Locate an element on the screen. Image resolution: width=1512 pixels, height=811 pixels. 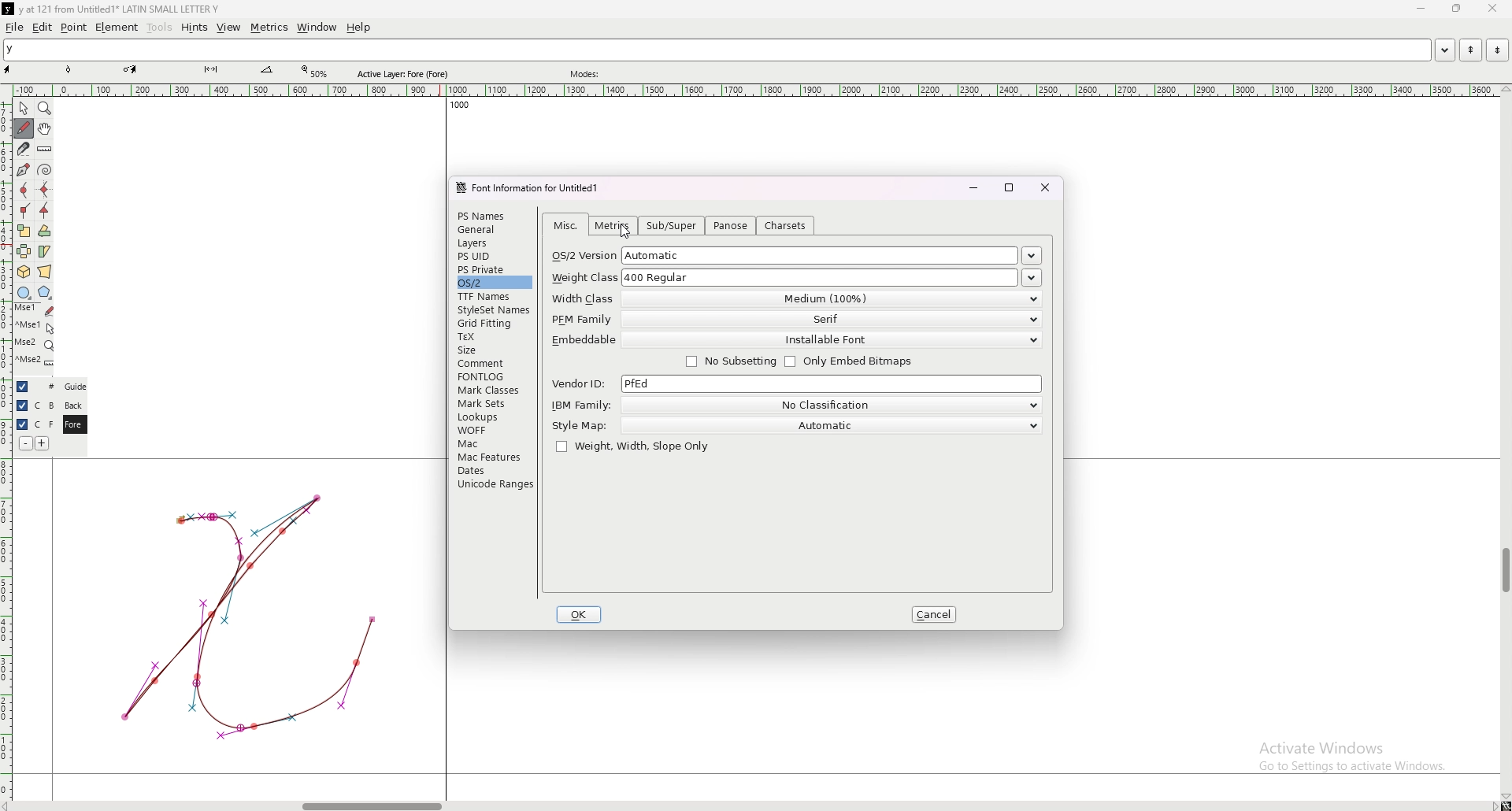
charsets is located at coordinates (786, 225).